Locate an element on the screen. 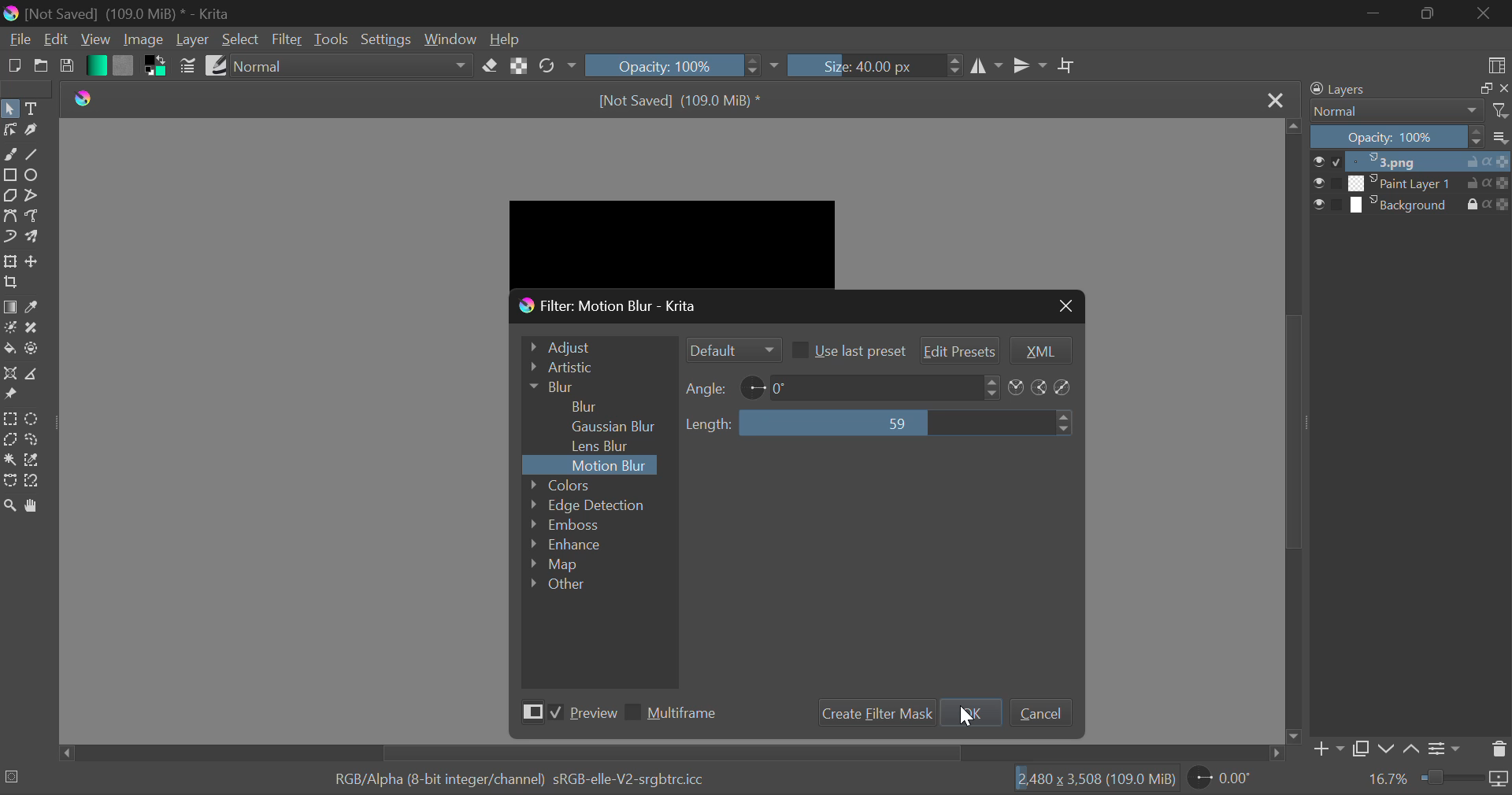 The height and width of the screenshot is (795, 1512). Close is located at coordinates (1064, 305).